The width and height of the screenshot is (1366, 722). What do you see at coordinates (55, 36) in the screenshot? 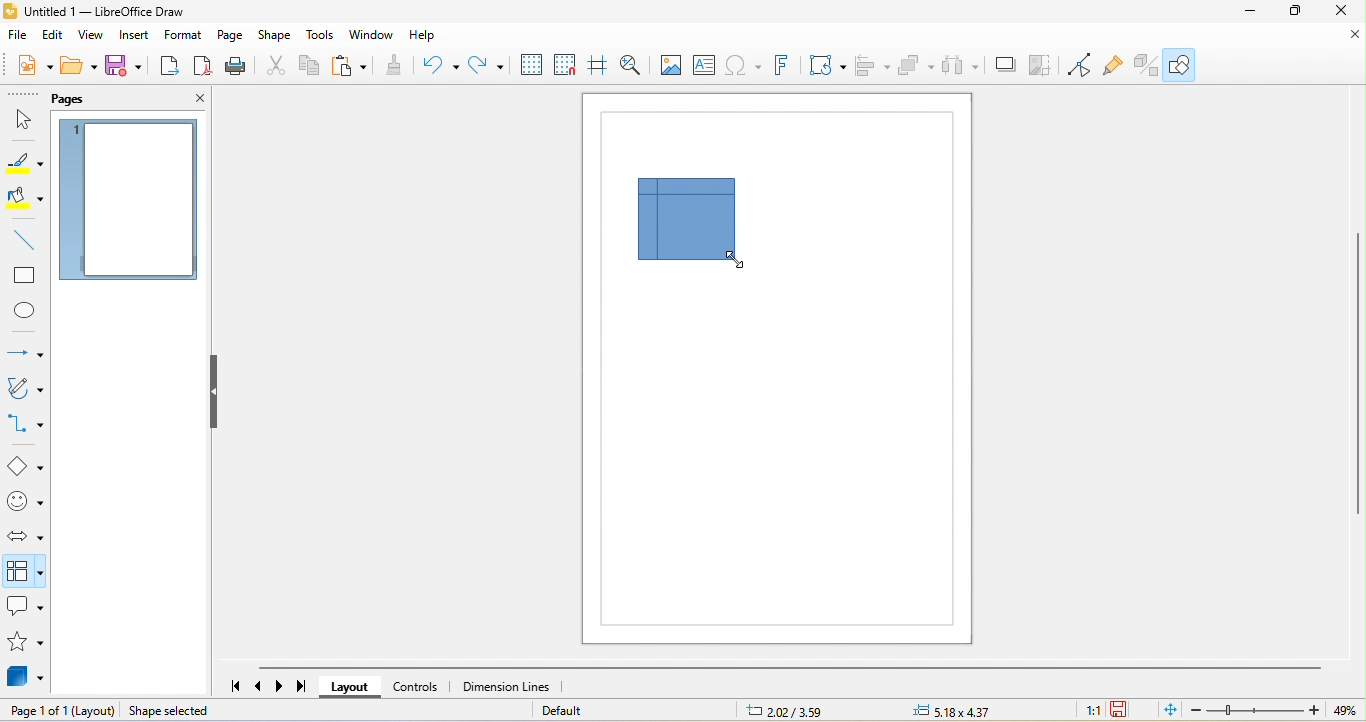
I see `edit` at bounding box center [55, 36].